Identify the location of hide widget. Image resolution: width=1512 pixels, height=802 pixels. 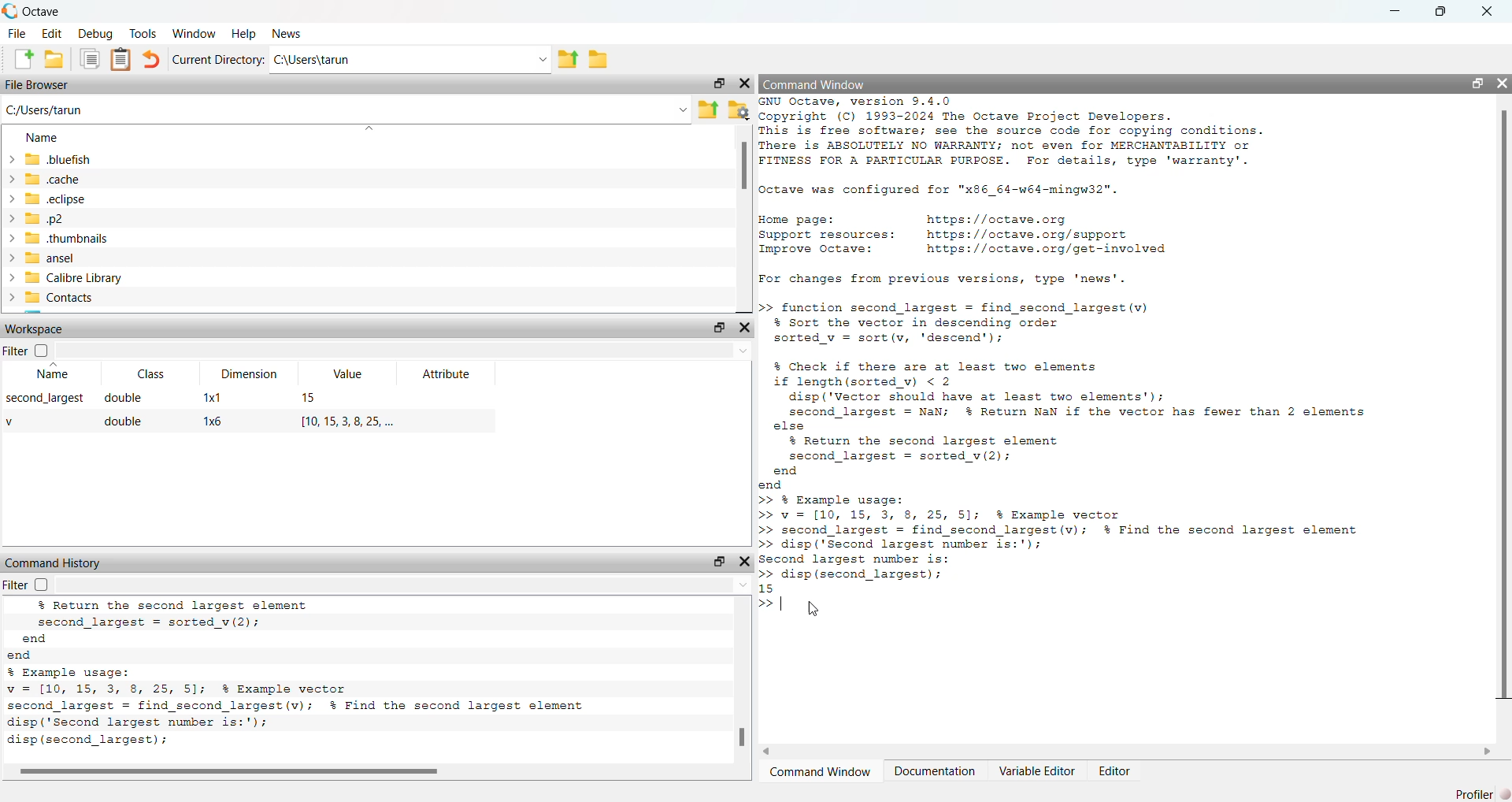
(746, 84).